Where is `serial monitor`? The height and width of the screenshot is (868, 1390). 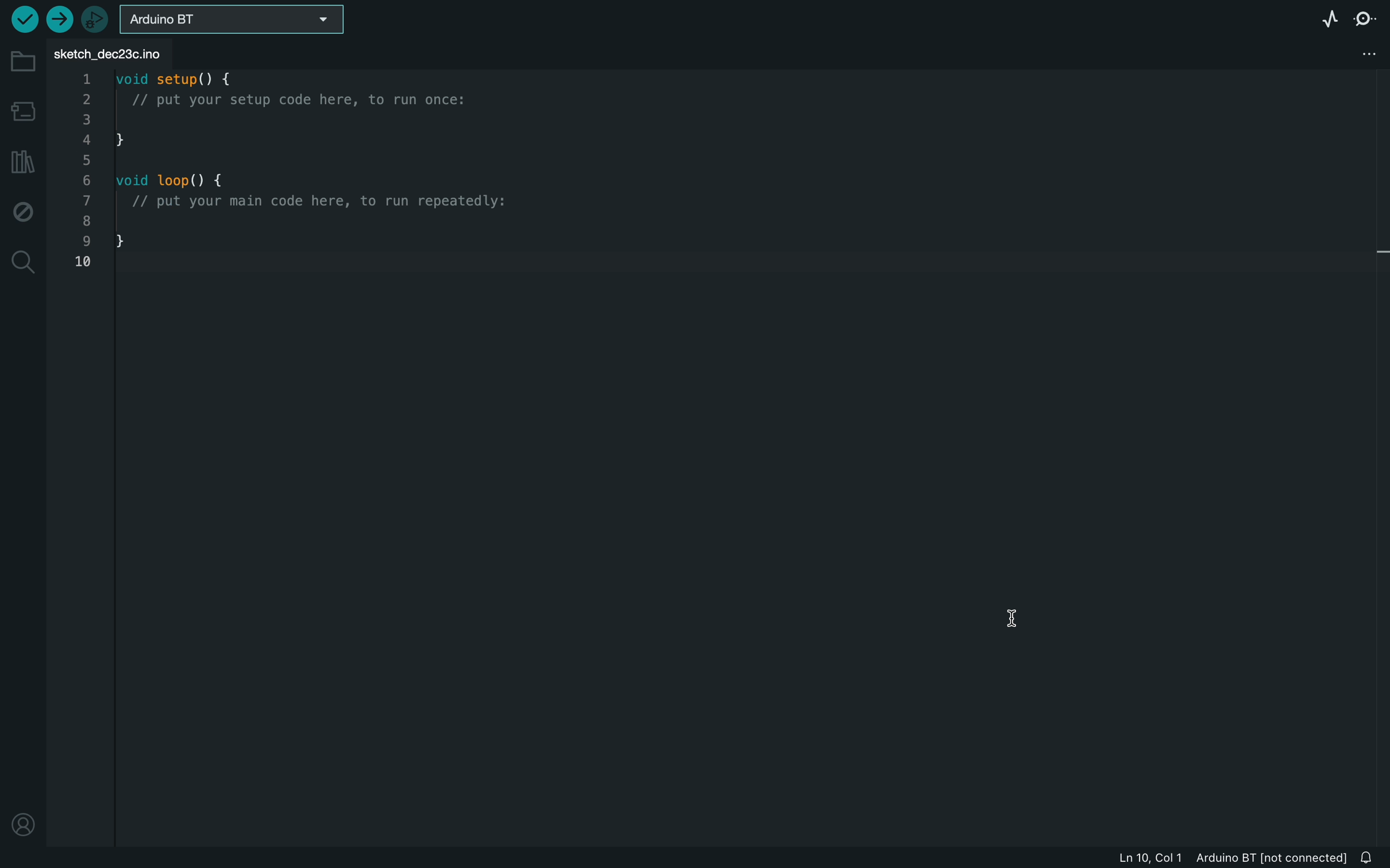
serial monitor is located at coordinates (1363, 17).